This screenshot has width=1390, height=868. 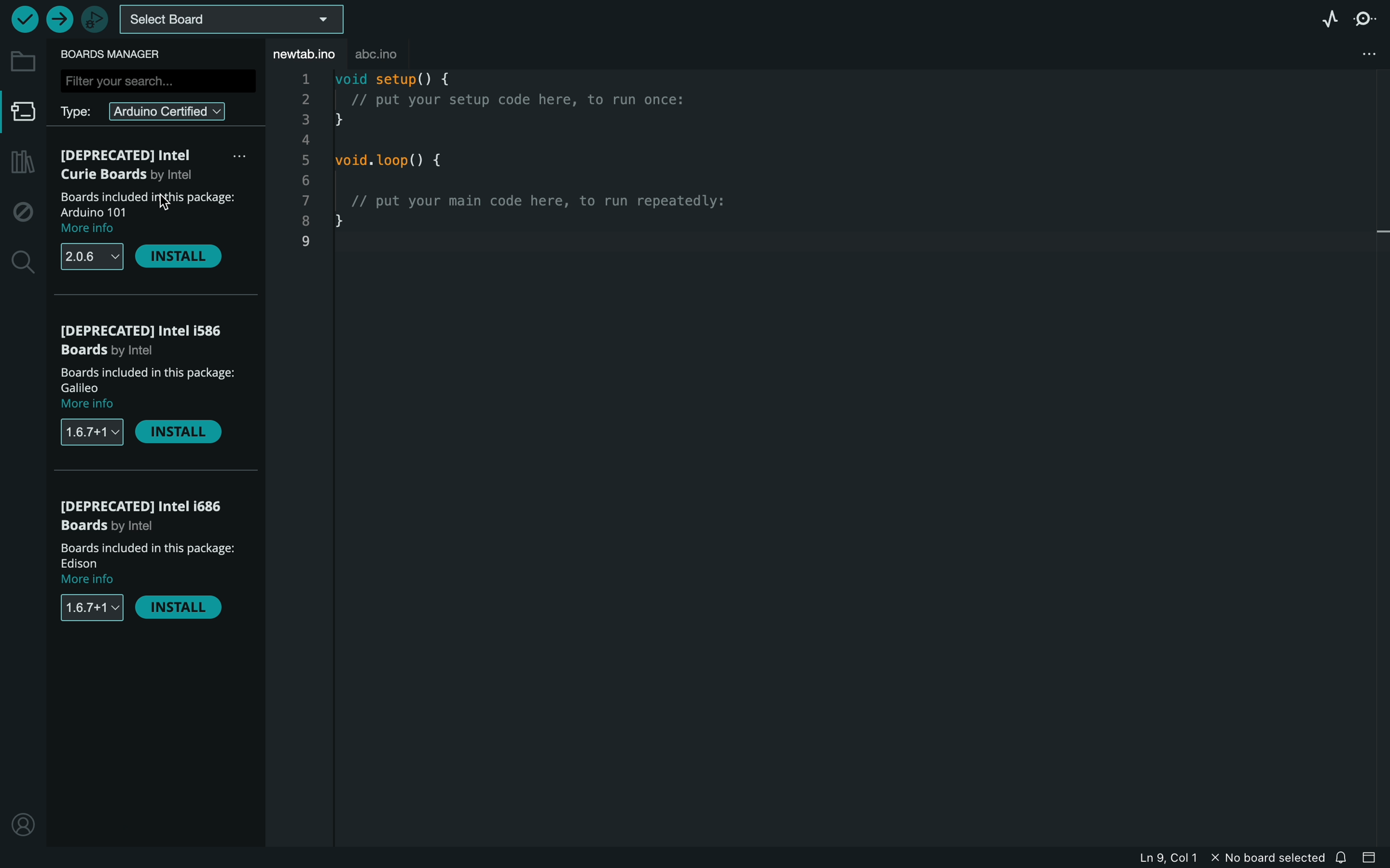 What do you see at coordinates (180, 256) in the screenshot?
I see `install` at bounding box center [180, 256].